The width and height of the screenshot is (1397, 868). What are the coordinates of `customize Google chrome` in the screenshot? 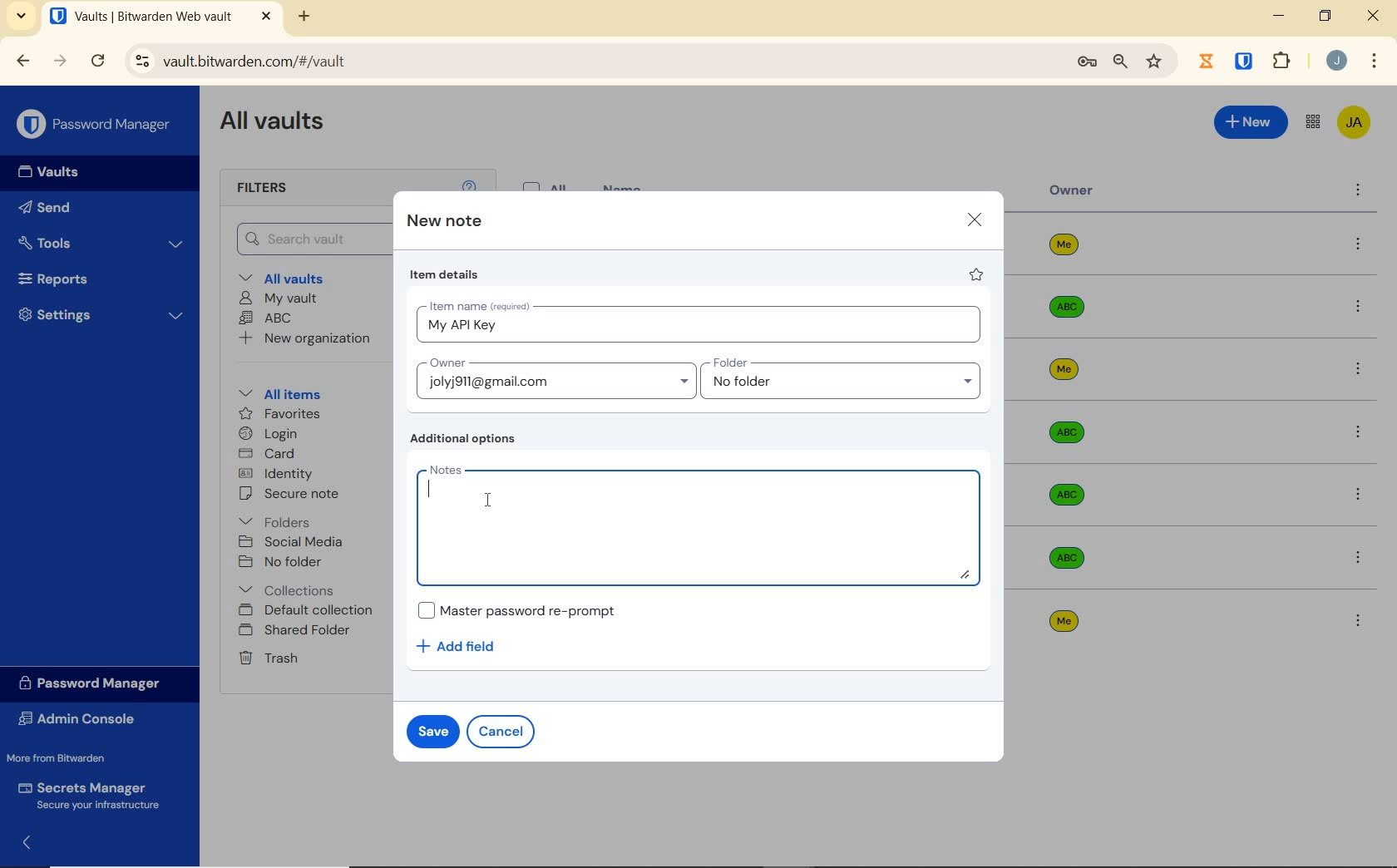 It's located at (1374, 62).